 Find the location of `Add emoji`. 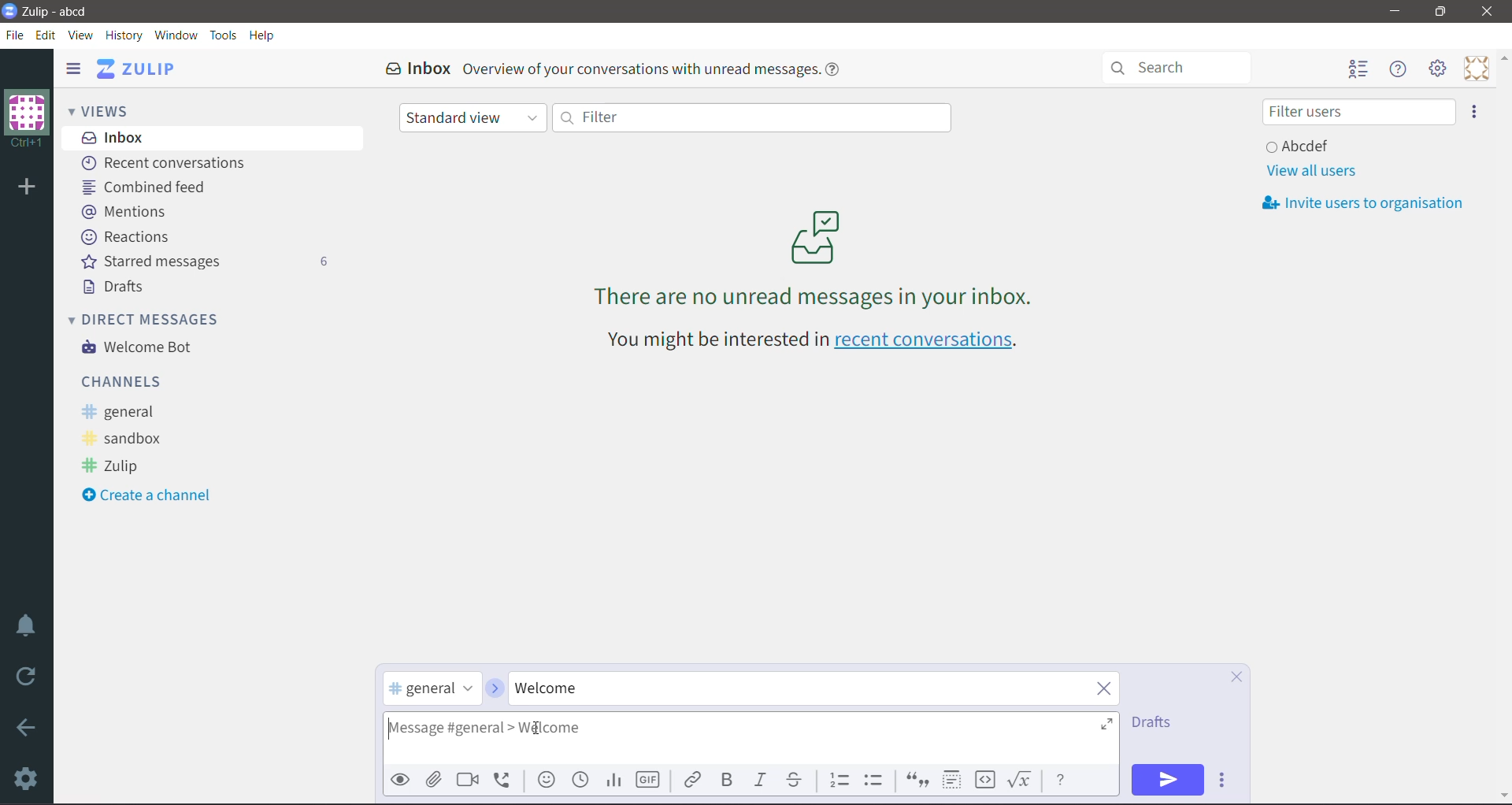

Add emoji is located at coordinates (547, 780).